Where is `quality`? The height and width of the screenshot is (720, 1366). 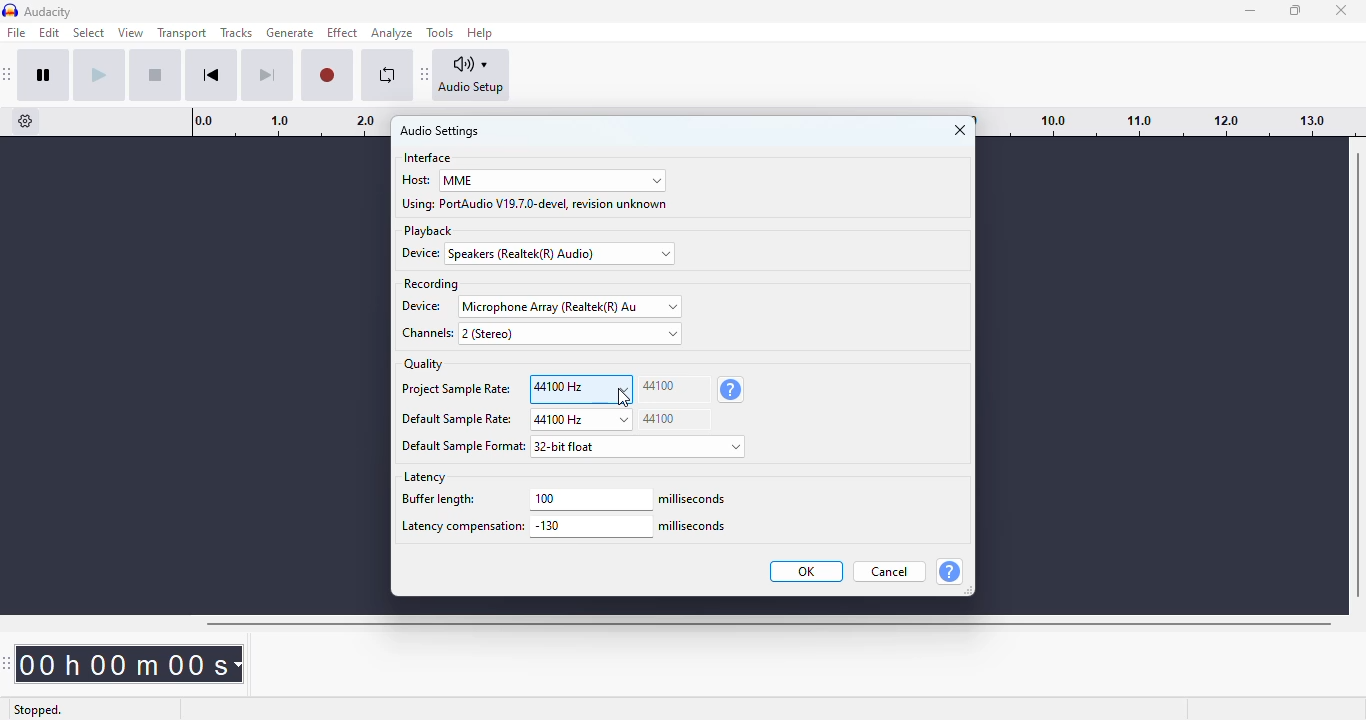 quality is located at coordinates (424, 364).